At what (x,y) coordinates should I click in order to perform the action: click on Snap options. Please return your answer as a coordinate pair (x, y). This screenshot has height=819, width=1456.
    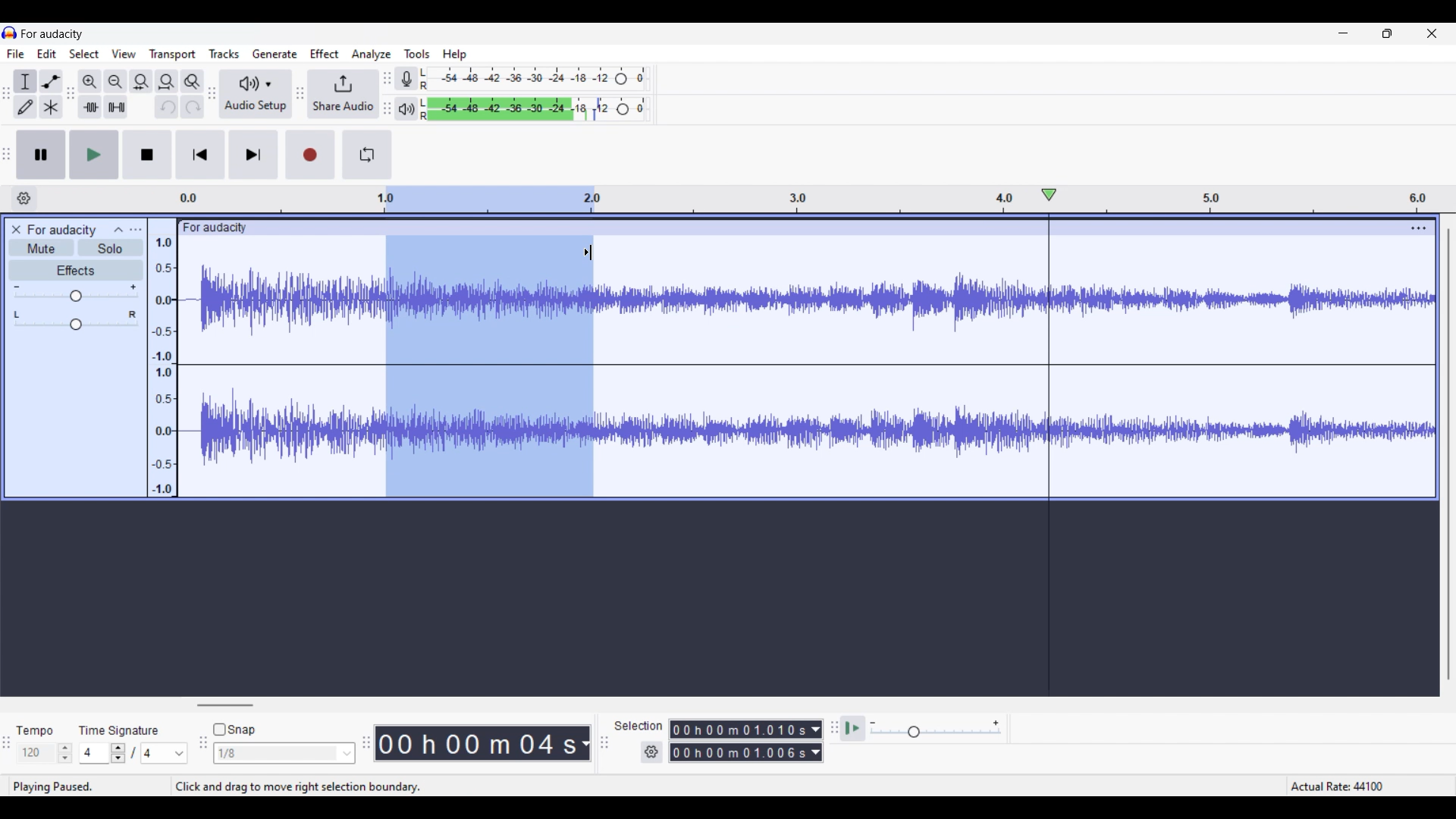
    Looking at the image, I should click on (285, 753).